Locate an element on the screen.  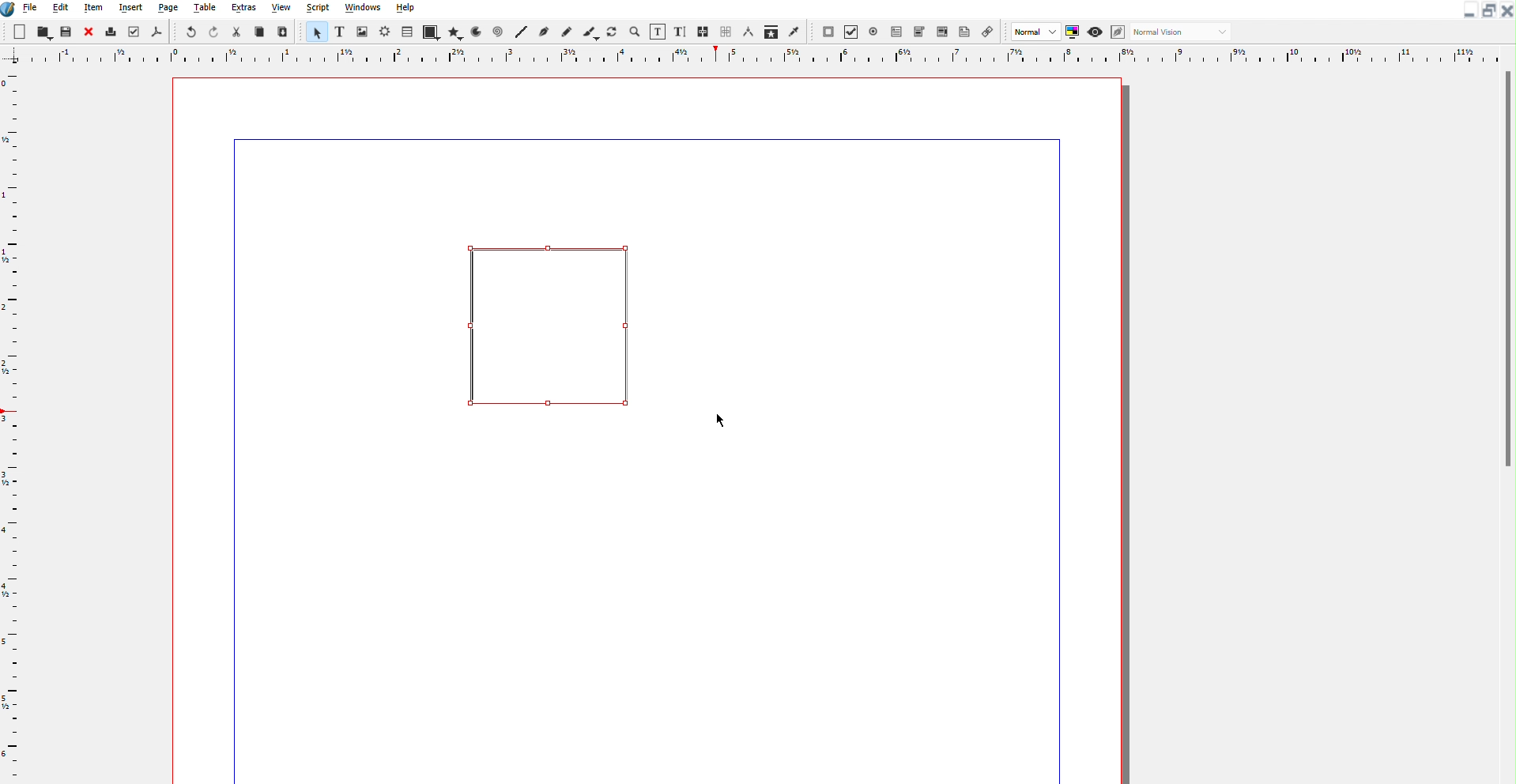
Arc is located at coordinates (476, 32).